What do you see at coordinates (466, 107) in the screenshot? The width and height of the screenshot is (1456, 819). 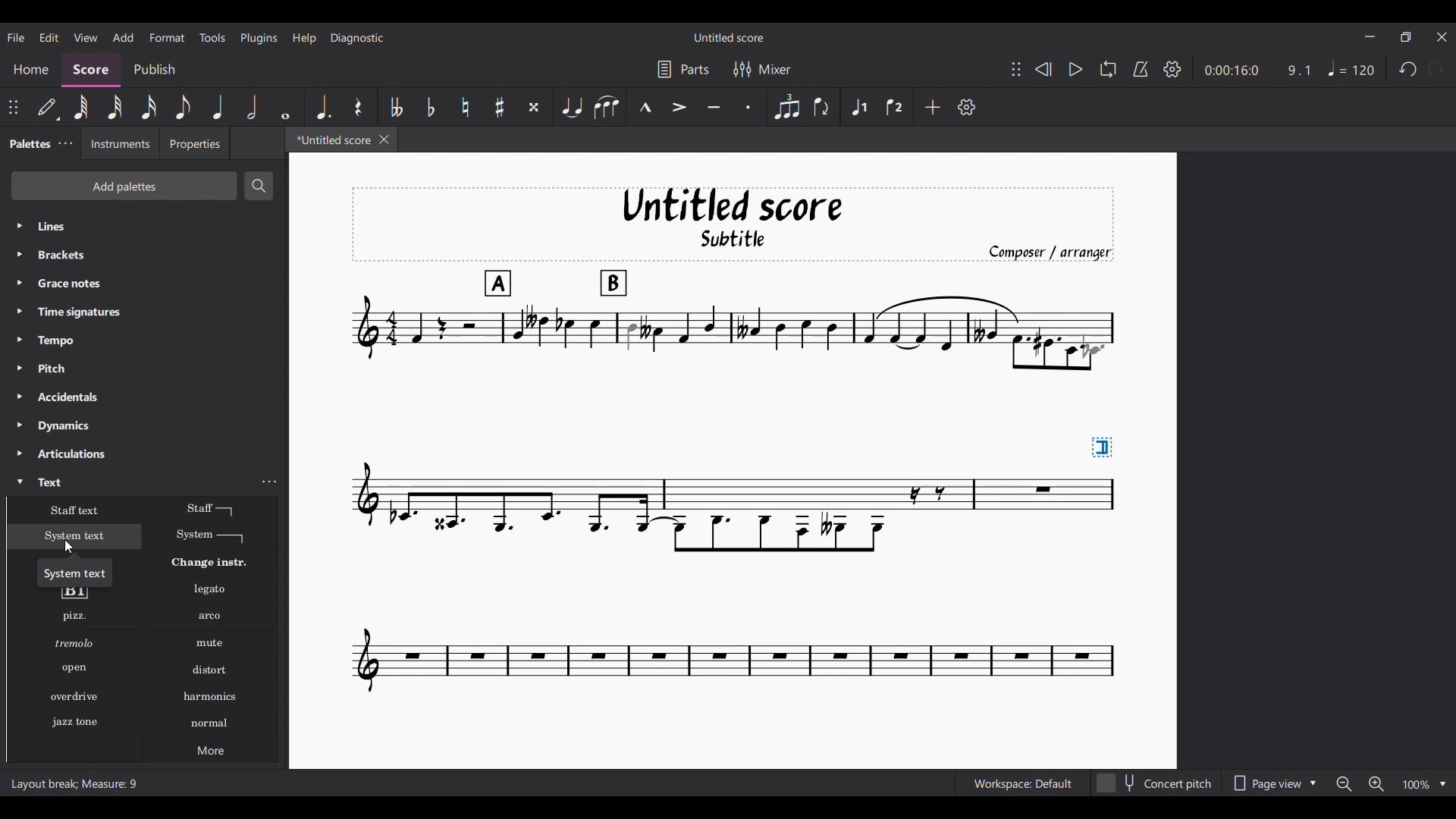 I see `Toggle natural` at bounding box center [466, 107].